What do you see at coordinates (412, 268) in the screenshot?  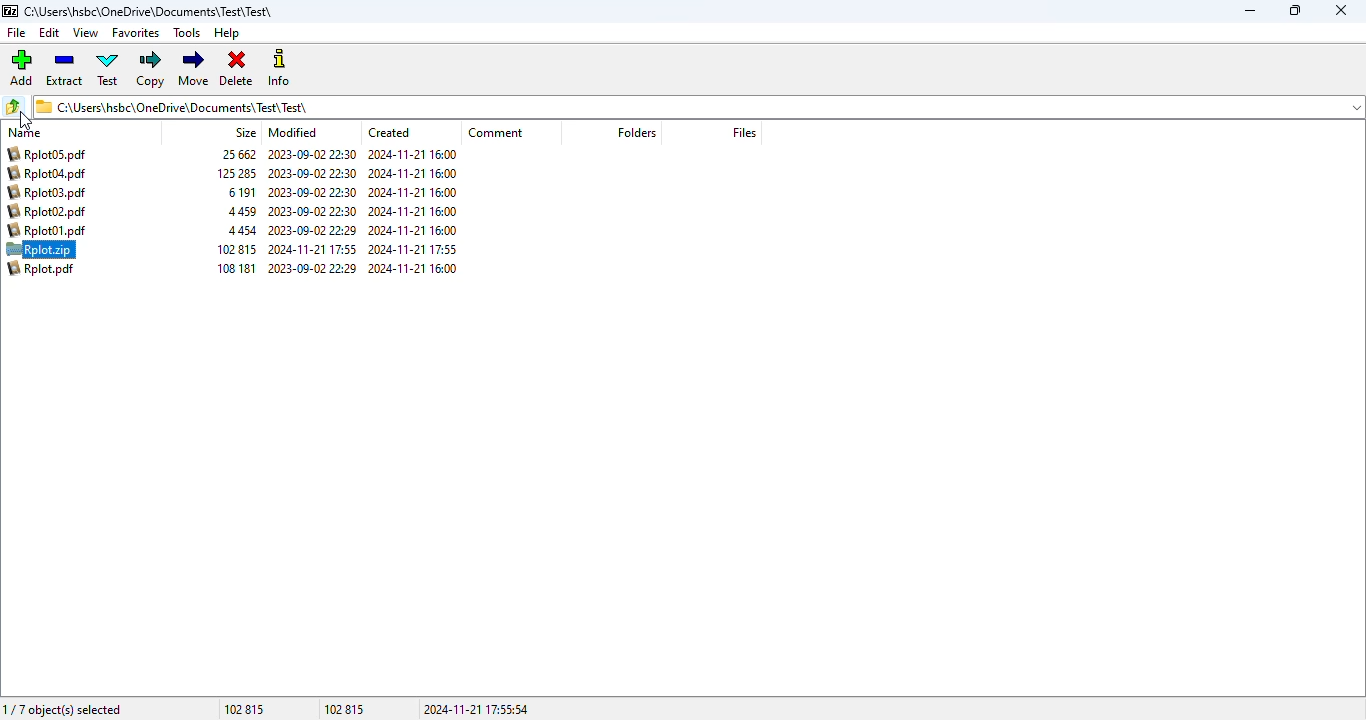 I see `2024-11-21 16:00` at bounding box center [412, 268].